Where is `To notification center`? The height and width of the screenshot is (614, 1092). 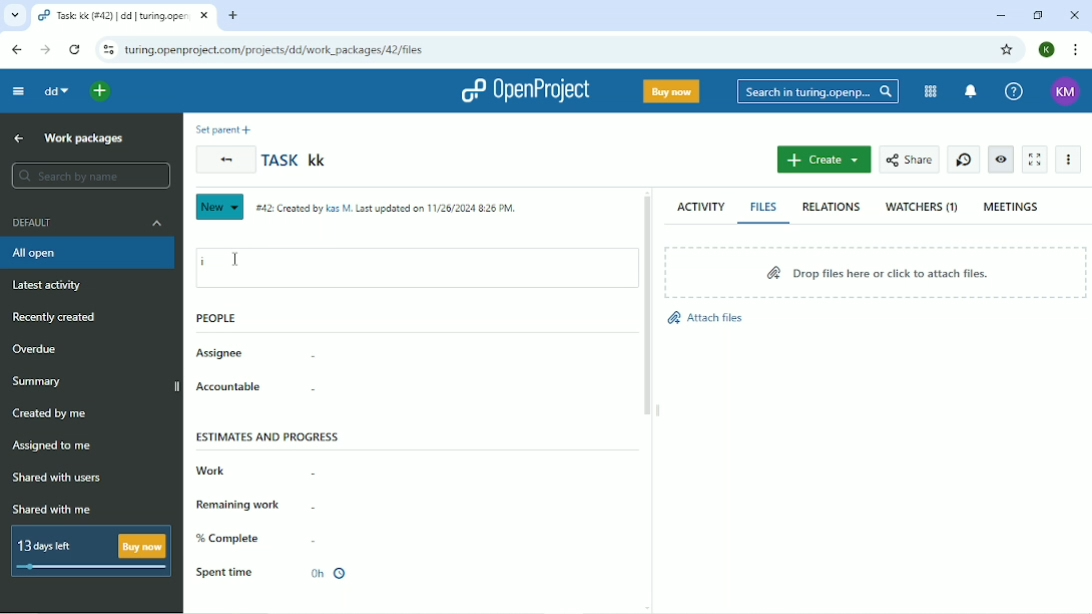 To notification center is located at coordinates (971, 91).